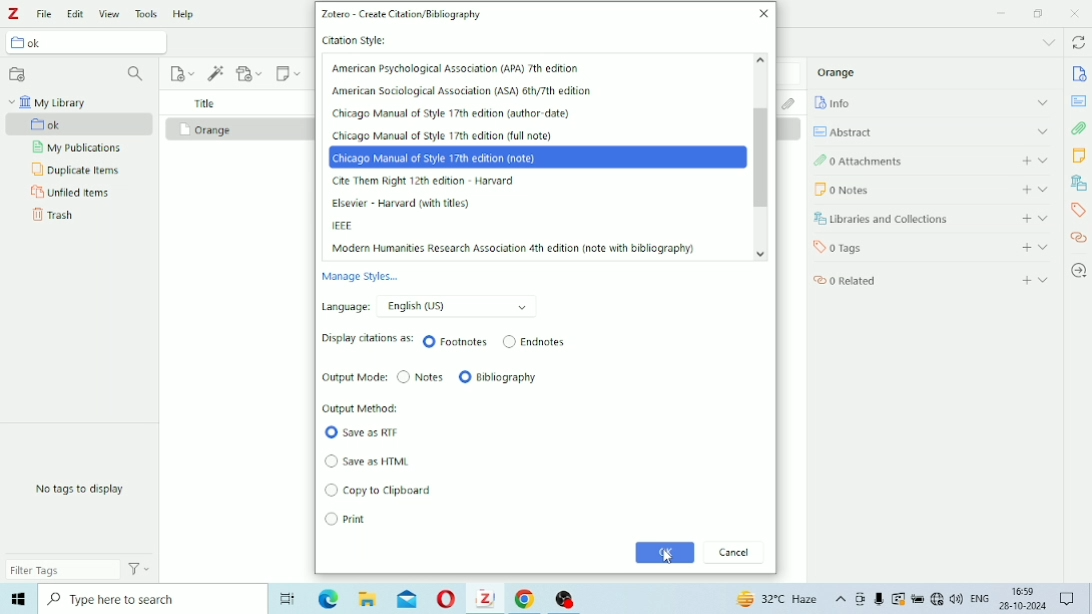  What do you see at coordinates (934, 189) in the screenshot?
I see `Notes` at bounding box center [934, 189].